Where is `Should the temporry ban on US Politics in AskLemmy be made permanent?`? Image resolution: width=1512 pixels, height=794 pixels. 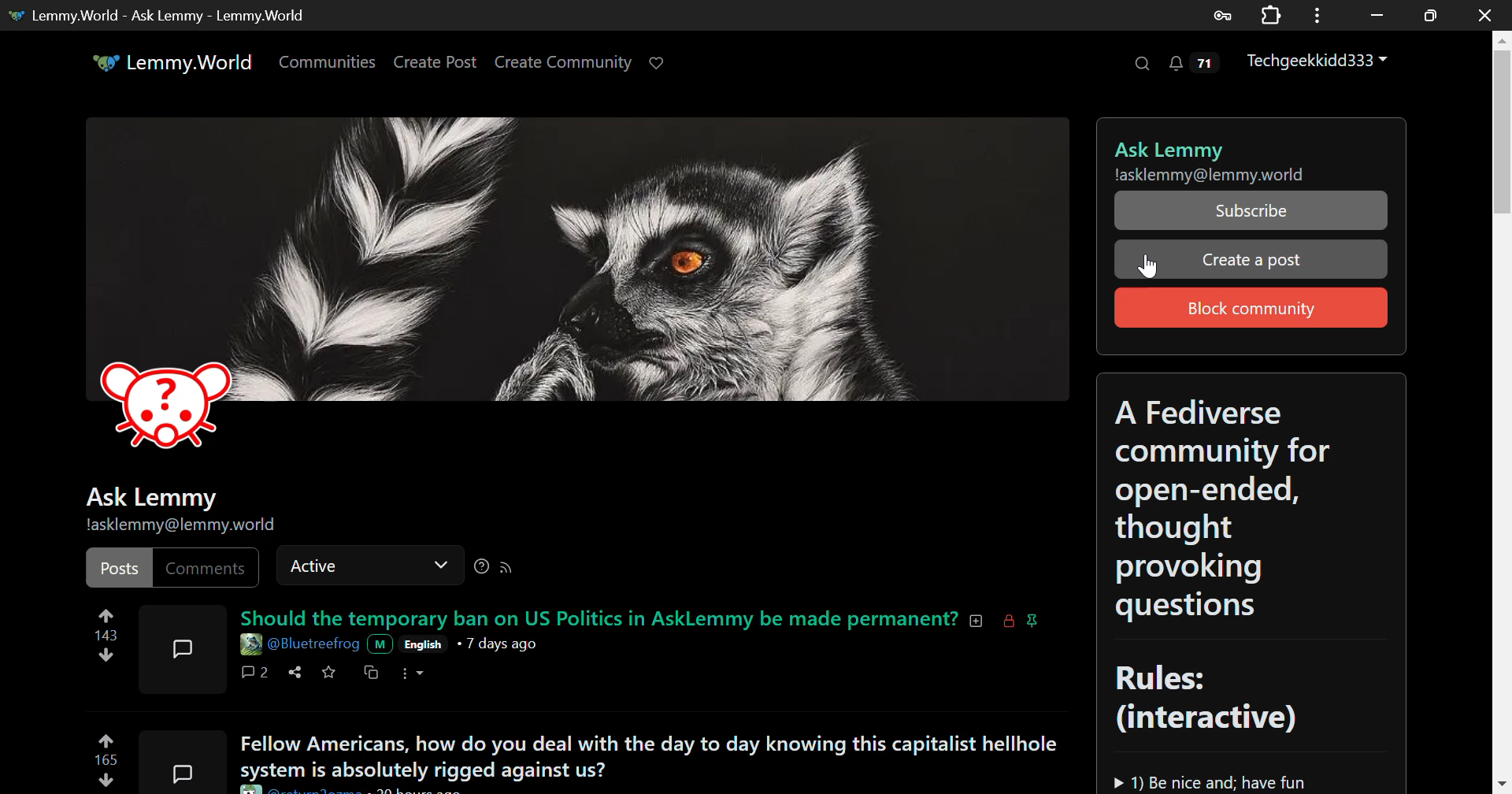
Should the temporry ban on US Politics in AskLemmy be made permanent? is located at coordinates (639, 617).